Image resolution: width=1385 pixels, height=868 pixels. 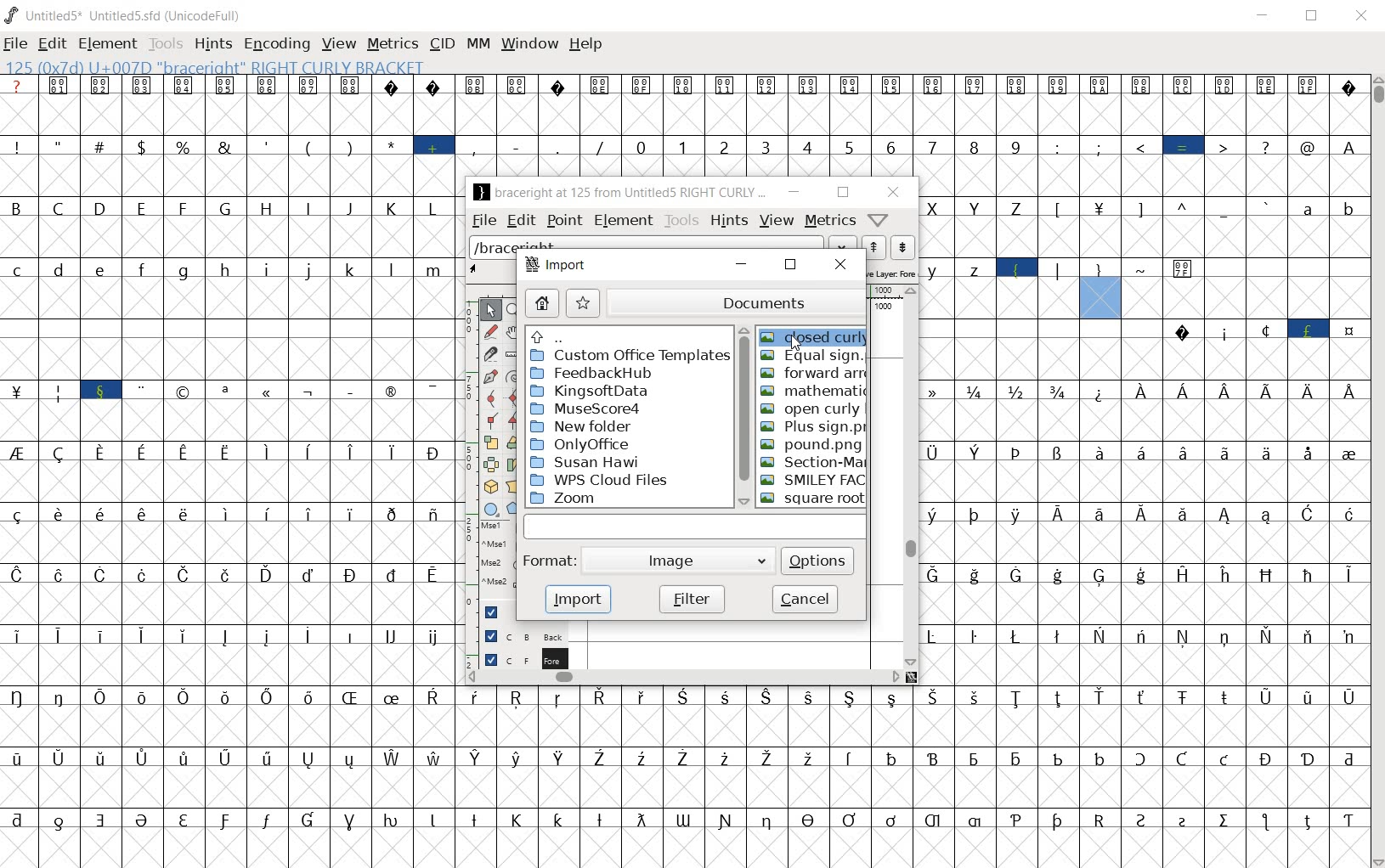 What do you see at coordinates (513, 465) in the screenshot?
I see `Rotate the selection` at bounding box center [513, 465].